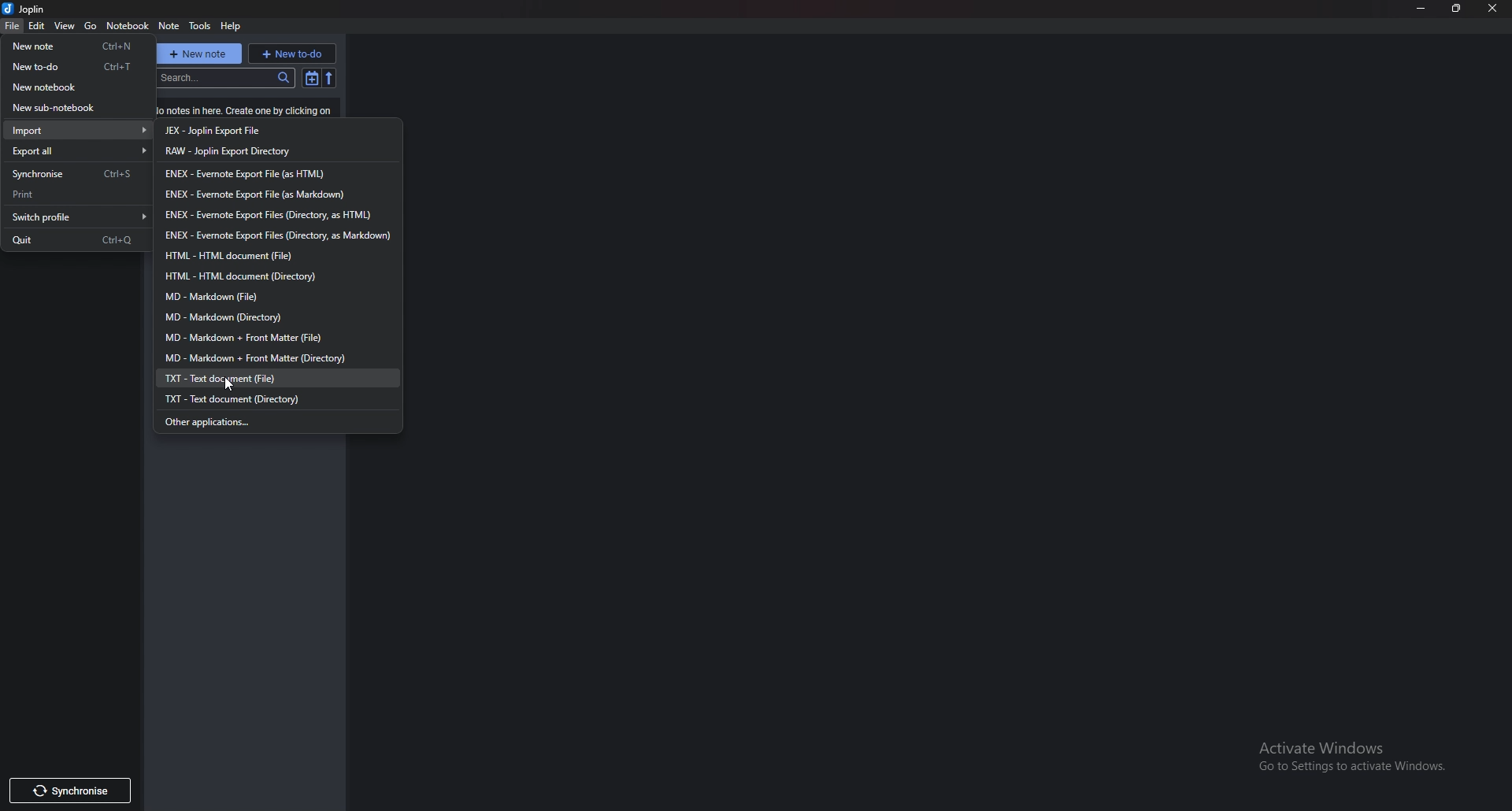 The width and height of the screenshot is (1512, 811). What do you see at coordinates (77, 217) in the screenshot?
I see `Switch profile` at bounding box center [77, 217].